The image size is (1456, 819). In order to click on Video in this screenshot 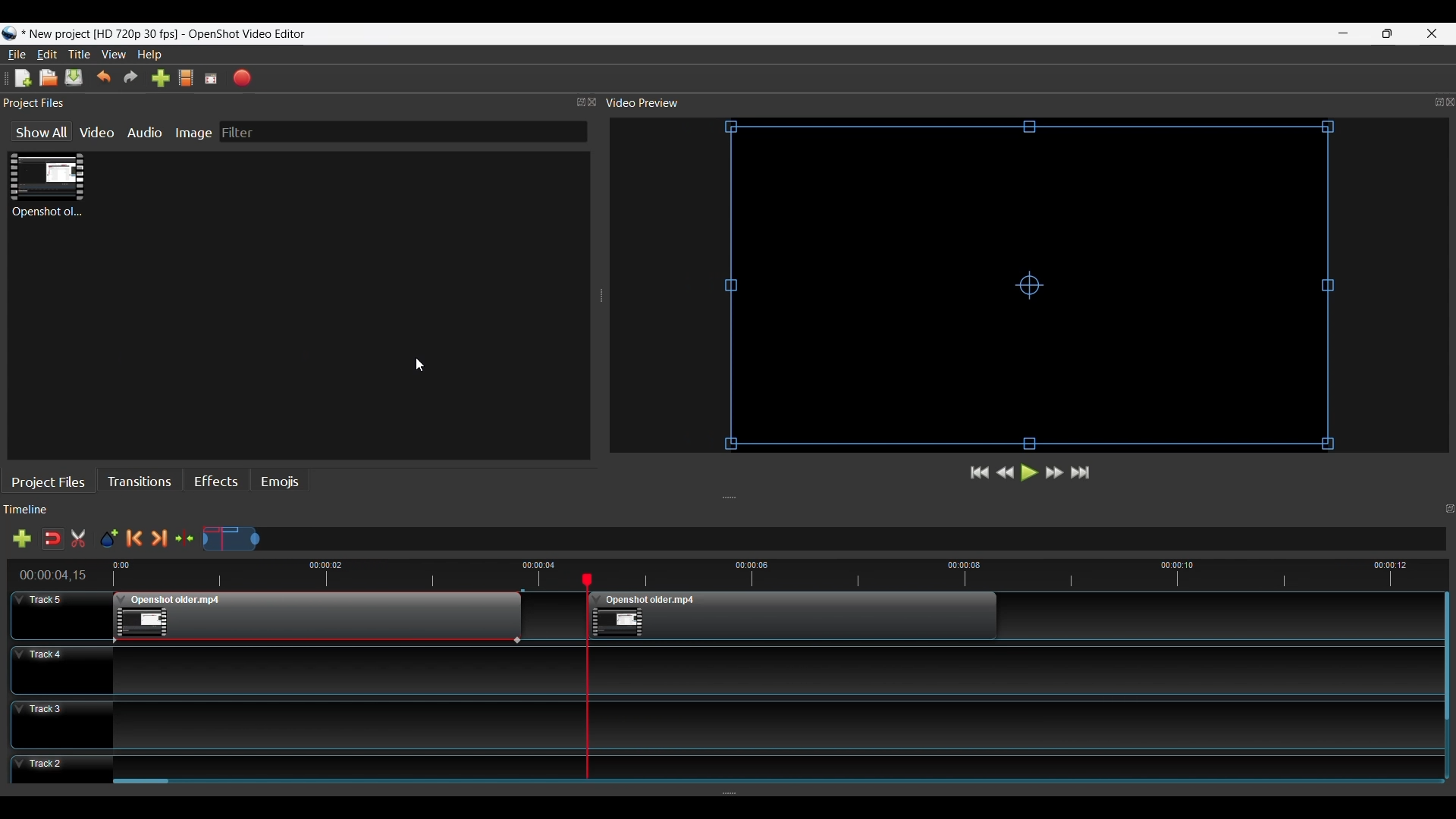, I will do `click(99, 132)`.